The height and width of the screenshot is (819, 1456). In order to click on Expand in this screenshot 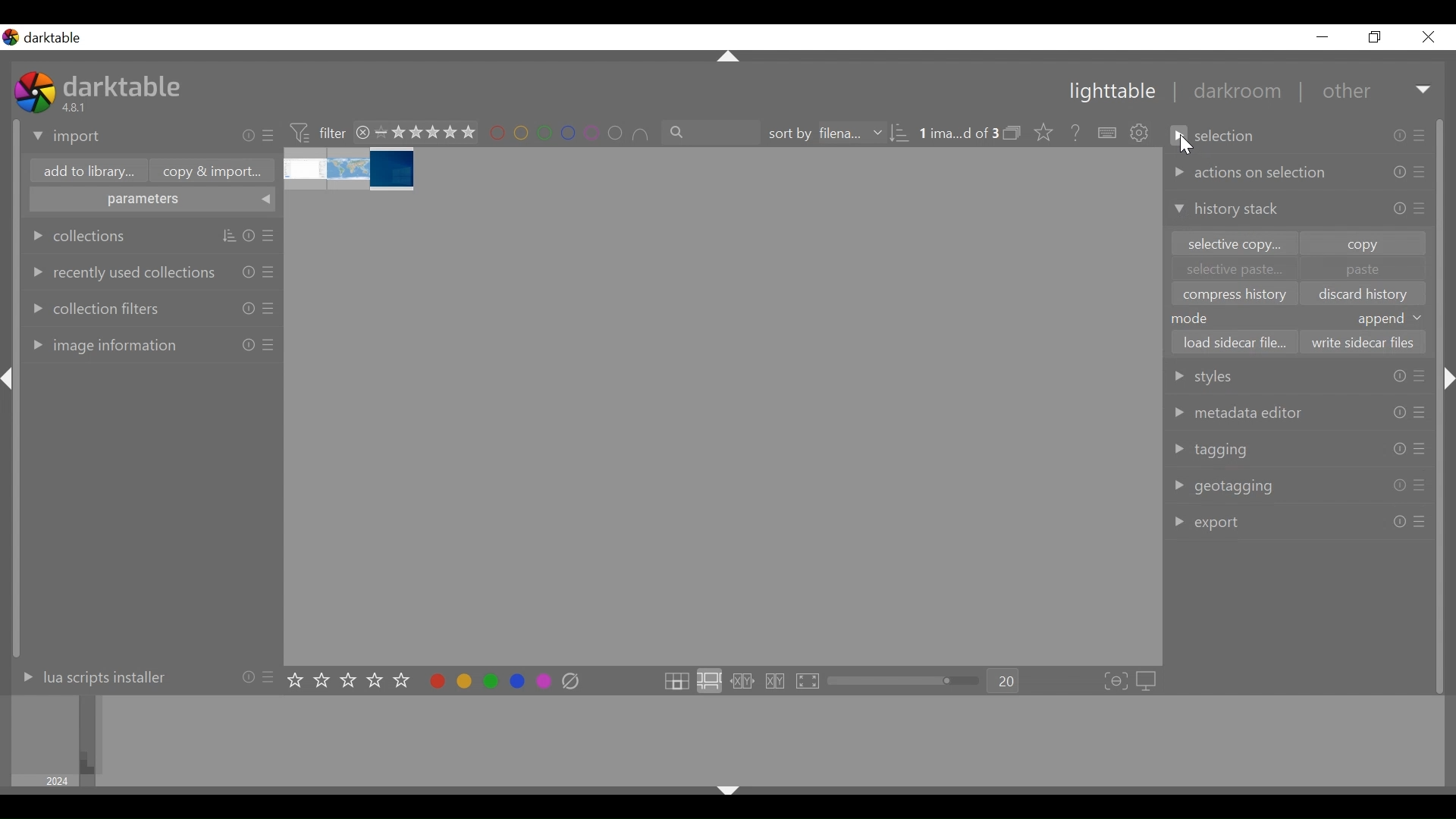, I will do `click(1425, 91)`.